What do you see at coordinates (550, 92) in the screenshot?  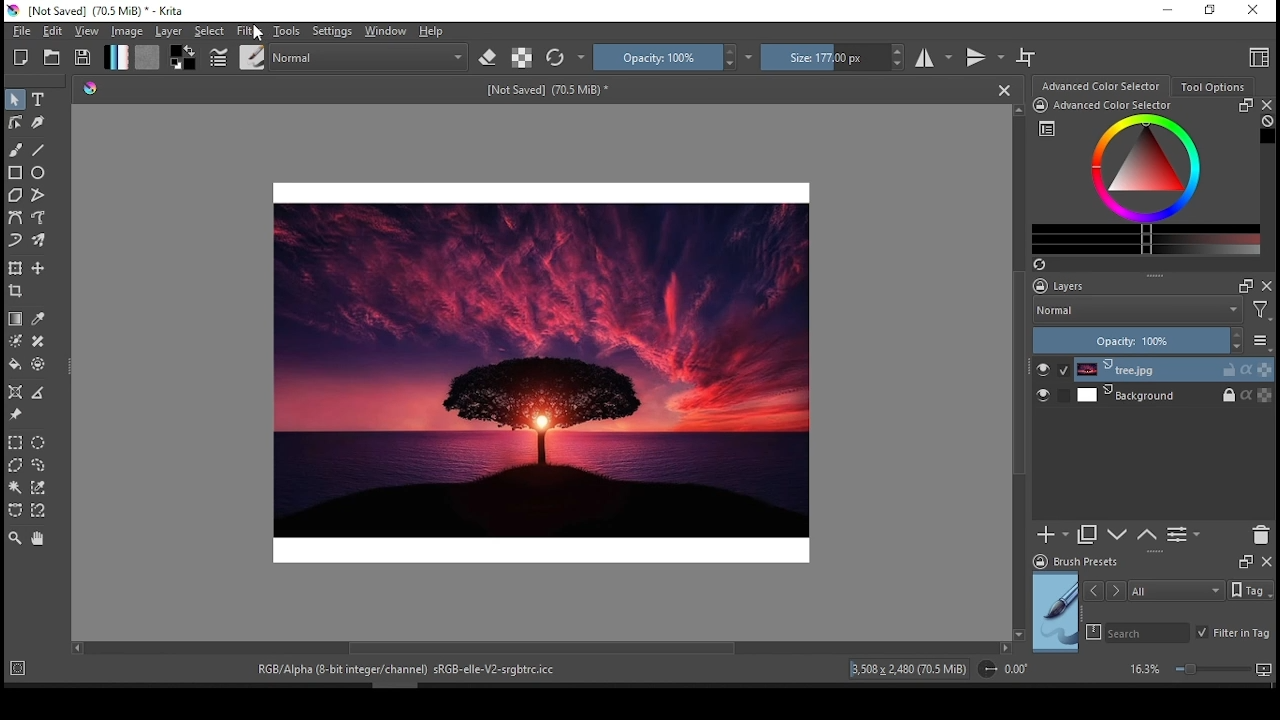 I see `text` at bounding box center [550, 92].